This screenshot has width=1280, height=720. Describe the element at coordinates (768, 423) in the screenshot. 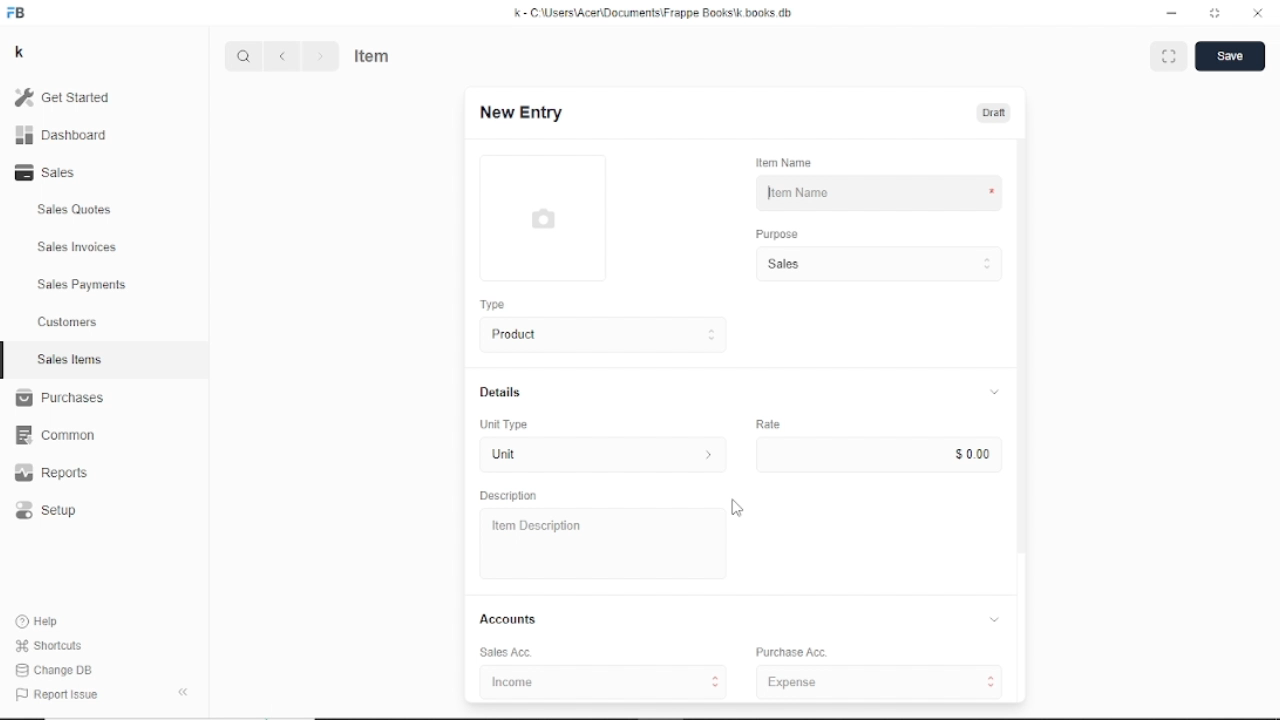

I see `Rate` at that location.